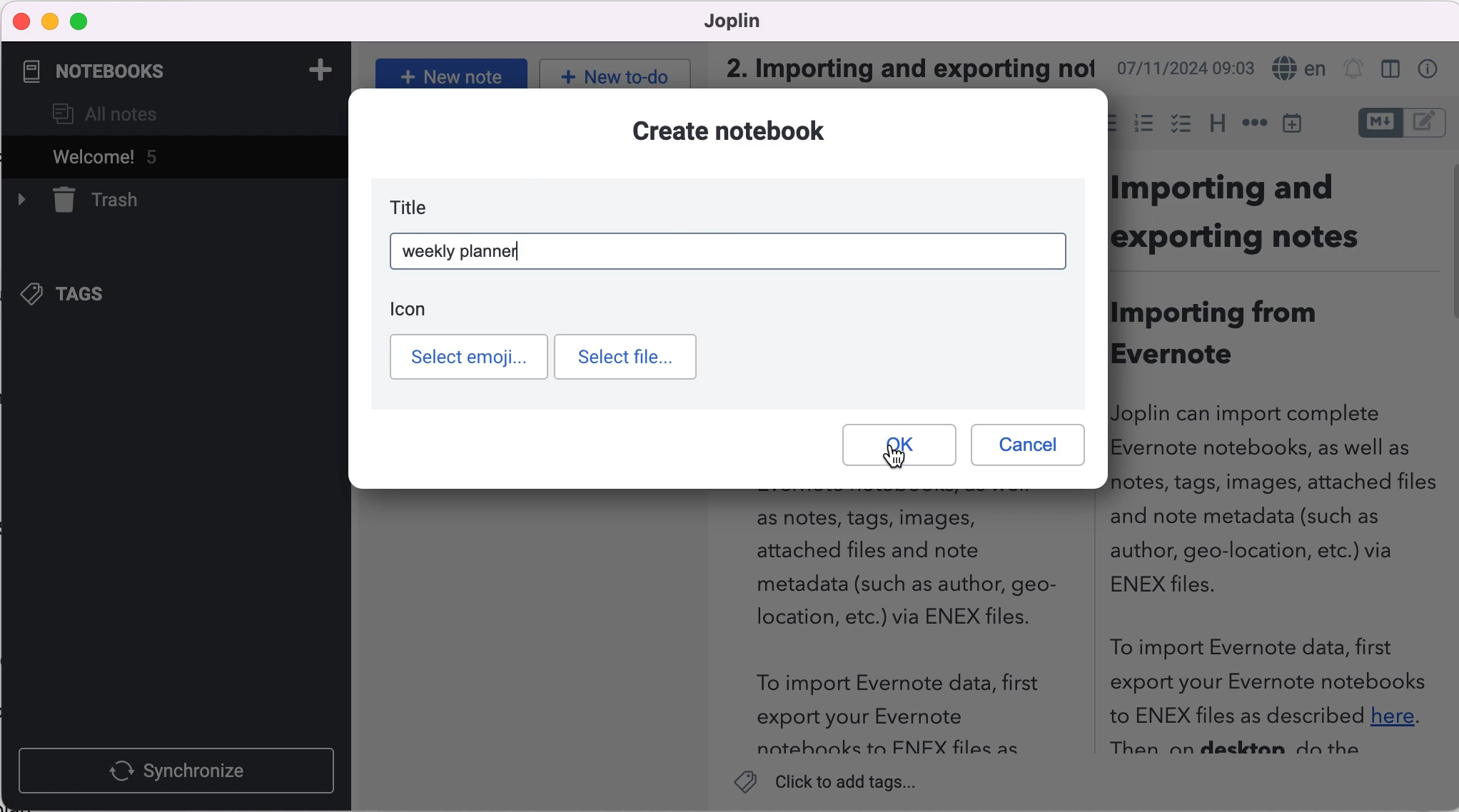 The width and height of the screenshot is (1459, 812). I want to click on all notes, so click(105, 116).